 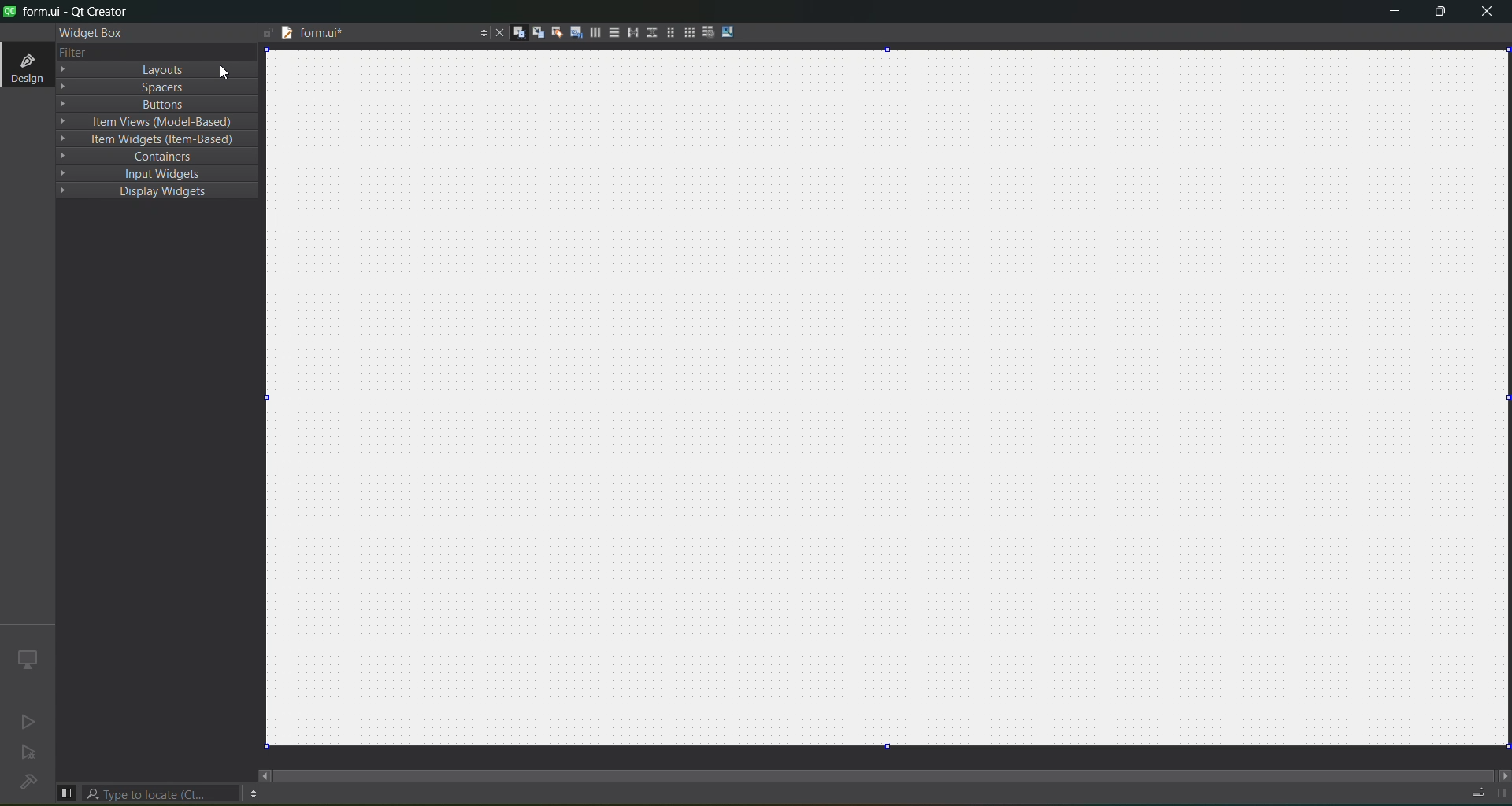 I want to click on filter, so click(x=72, y=52).